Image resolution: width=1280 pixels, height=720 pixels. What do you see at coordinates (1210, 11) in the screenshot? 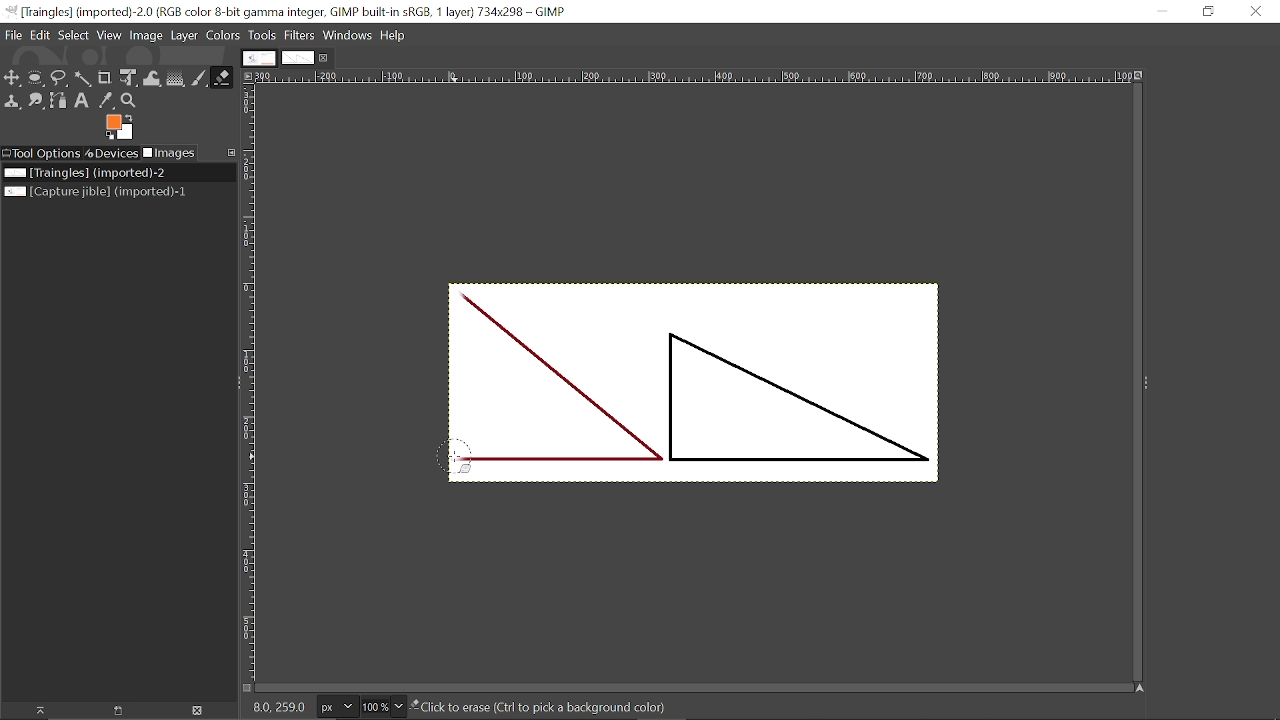
I see `Restore down` at bounding box center [1210, 11].